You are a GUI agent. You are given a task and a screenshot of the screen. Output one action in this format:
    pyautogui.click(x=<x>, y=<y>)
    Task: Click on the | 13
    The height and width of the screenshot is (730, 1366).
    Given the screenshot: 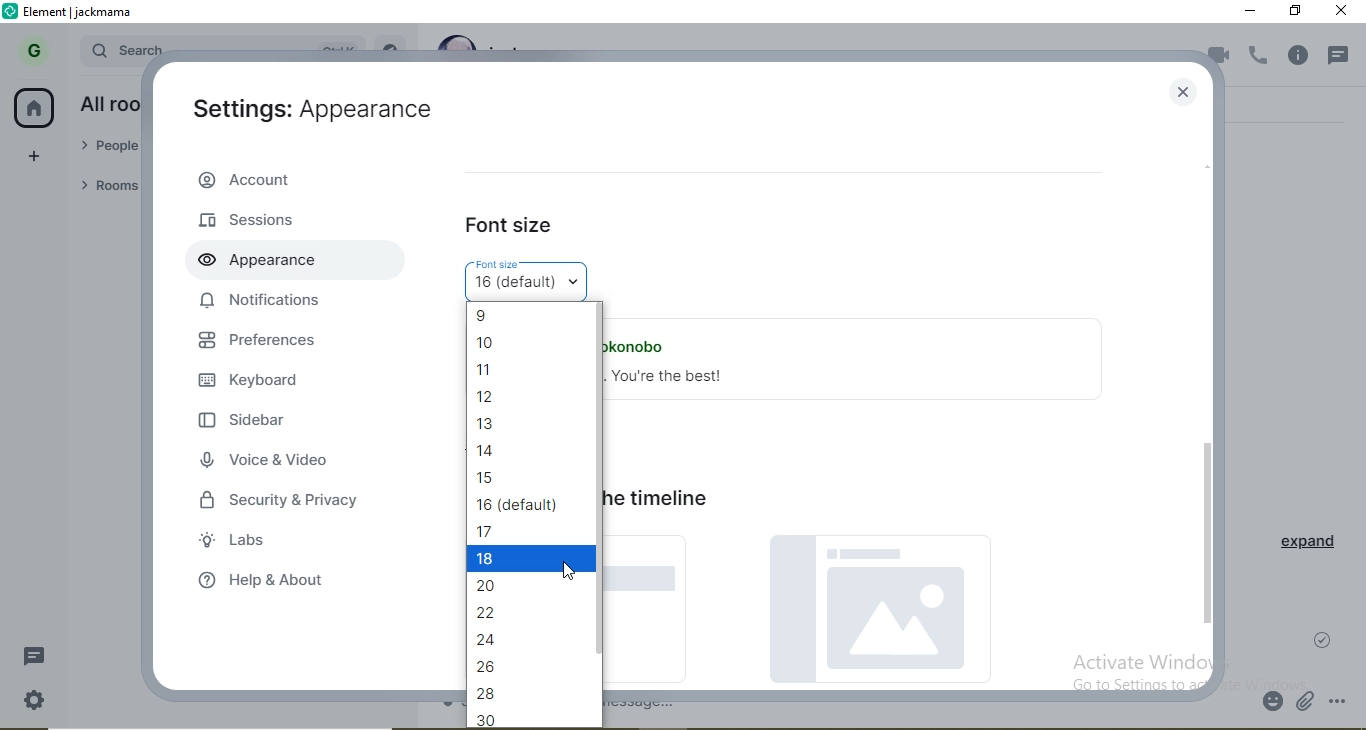 What is the action you would take?
    pyautogui.click(x=515, y=422)
    